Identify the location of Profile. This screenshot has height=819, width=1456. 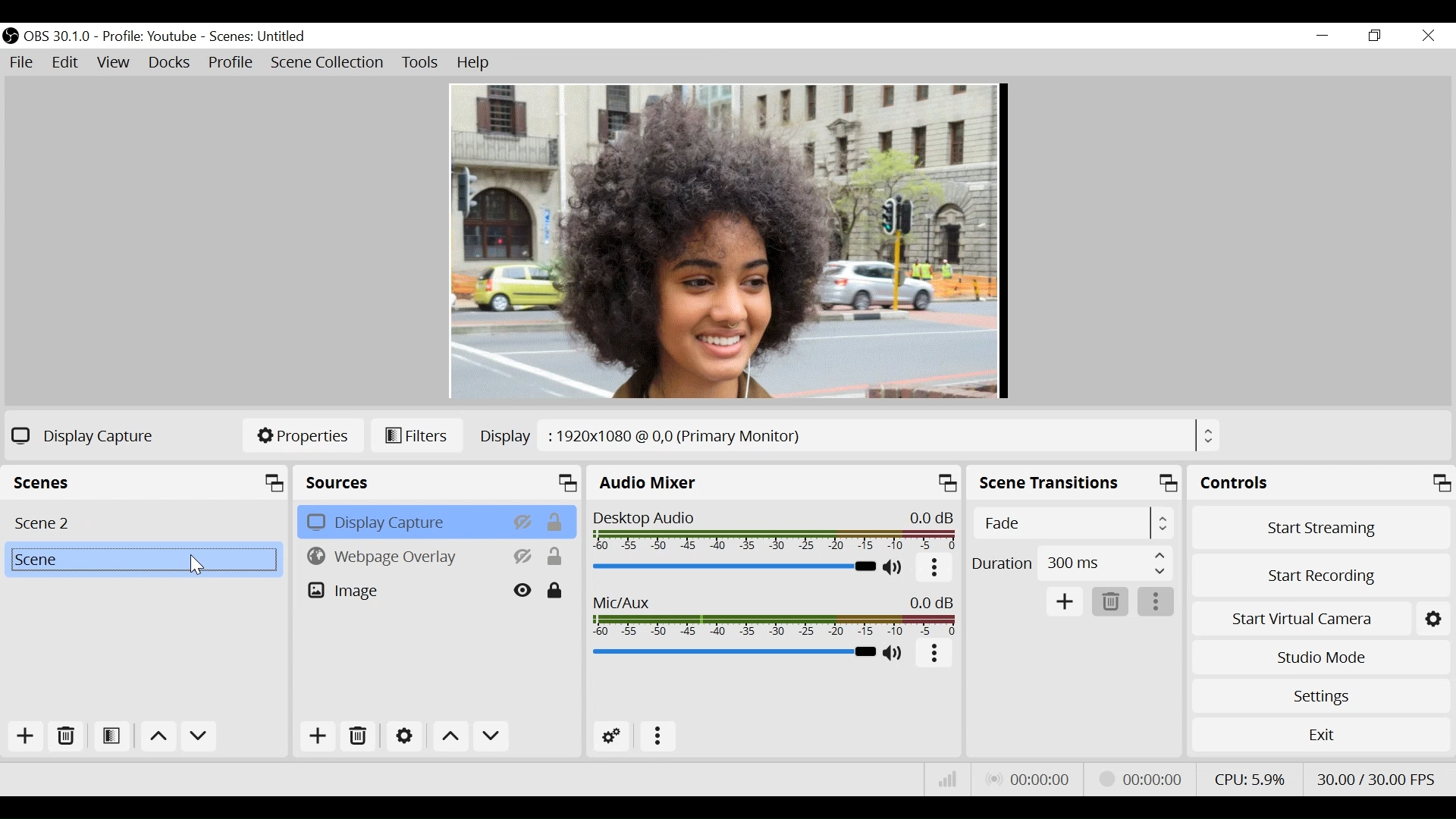
(231, 64).